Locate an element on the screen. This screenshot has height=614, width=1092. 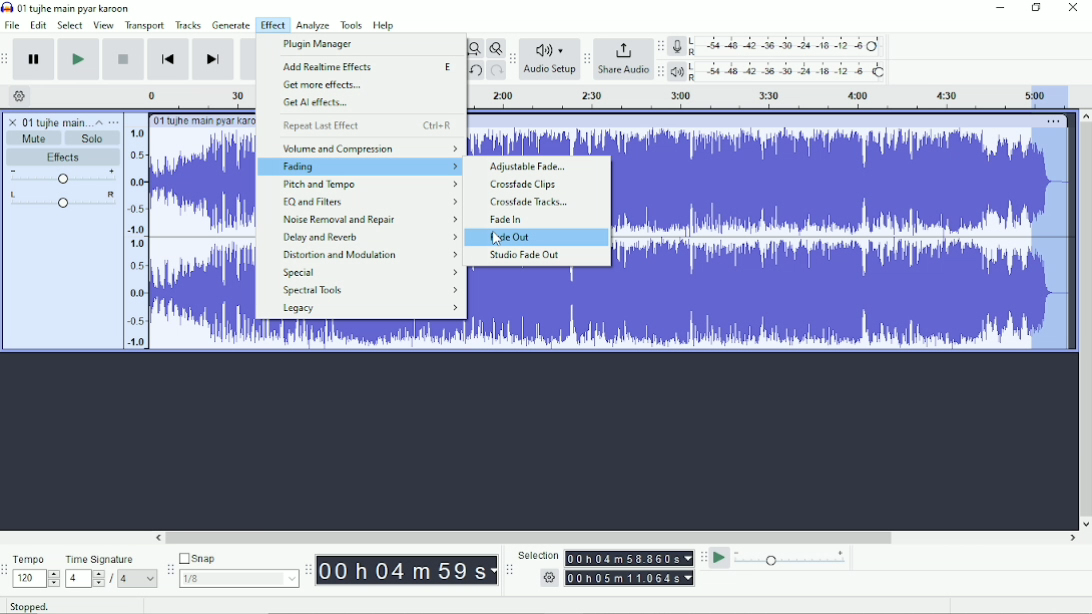
Effect is located at coordinates (274, 25).